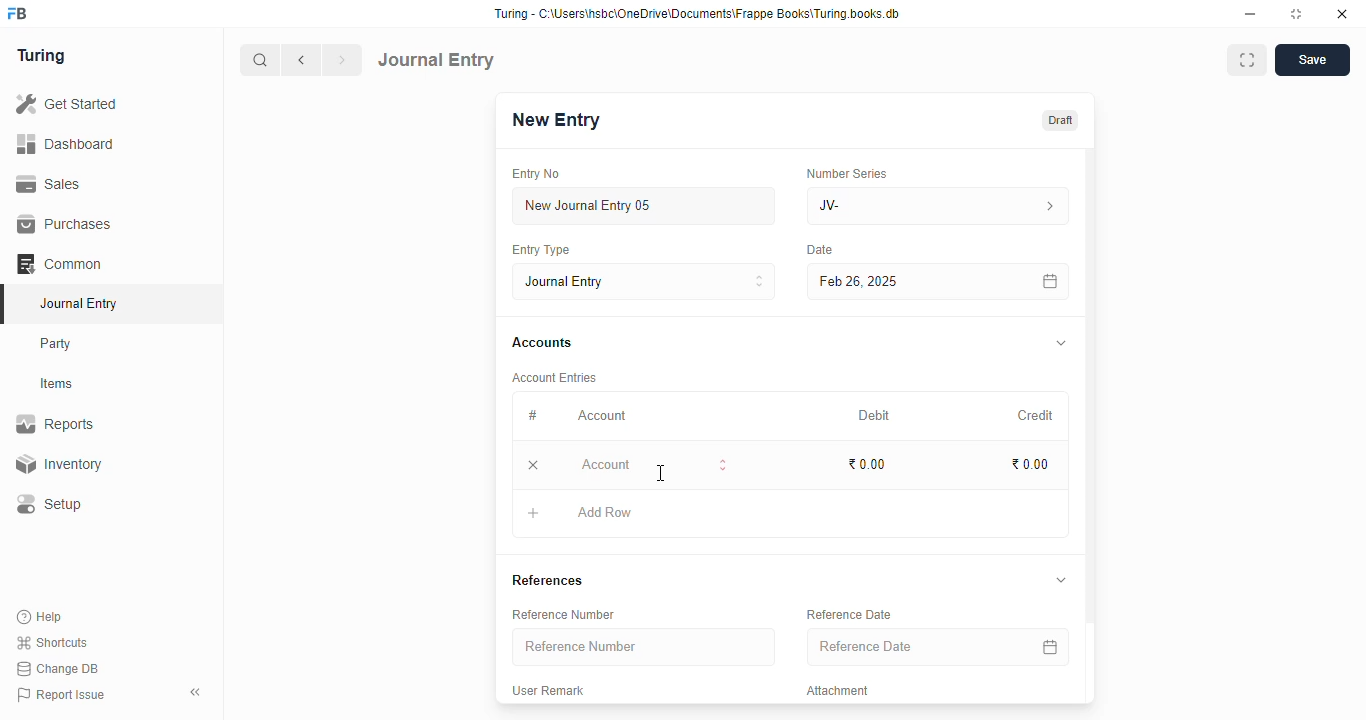 This screenshot has width=1366, height=720. What do you see at coordinates (1312, 60) in the screenshot?
I see `save` at bounding box center [1312, 60].